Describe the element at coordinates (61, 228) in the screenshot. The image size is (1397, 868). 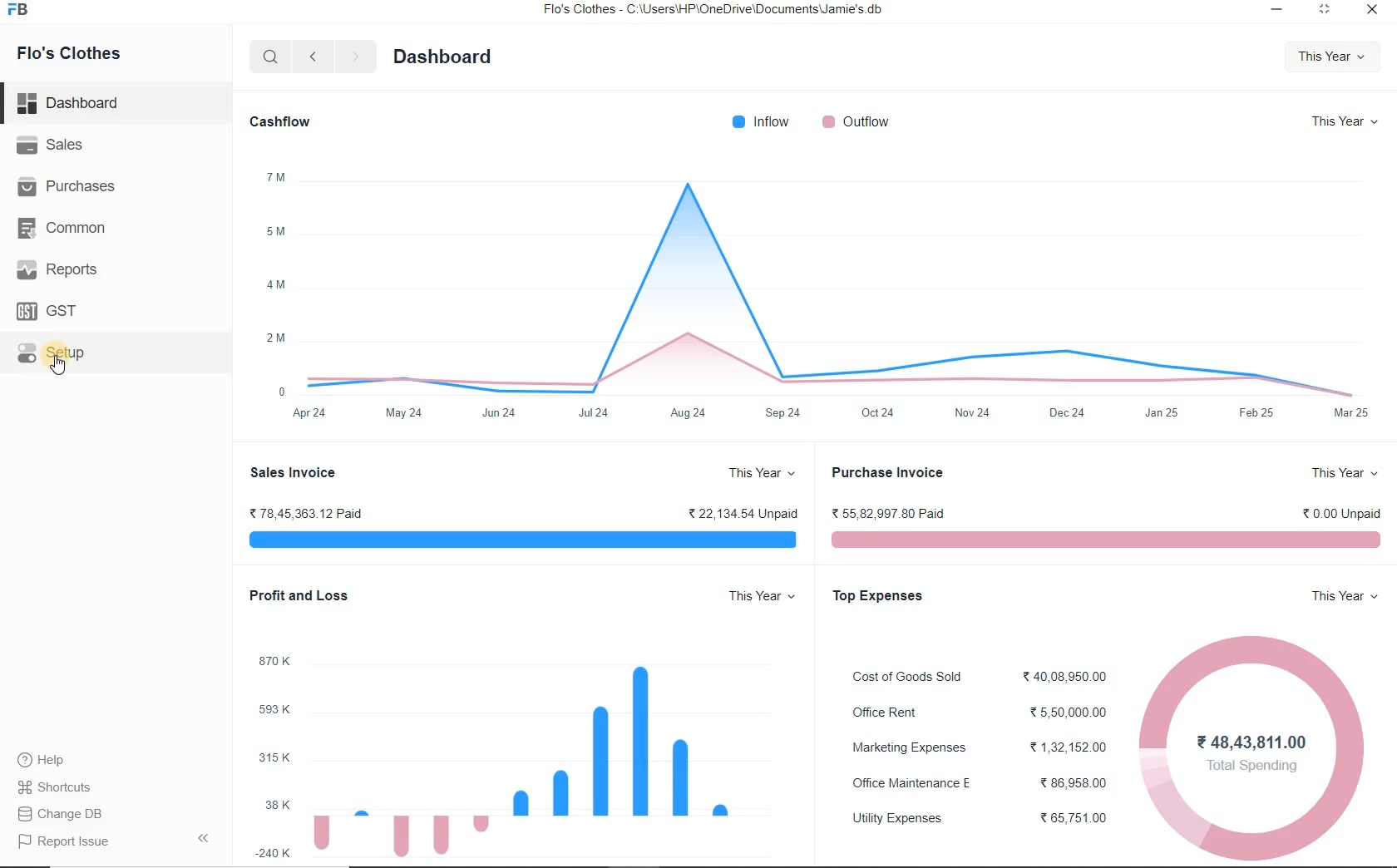
I see `Common` at that location.